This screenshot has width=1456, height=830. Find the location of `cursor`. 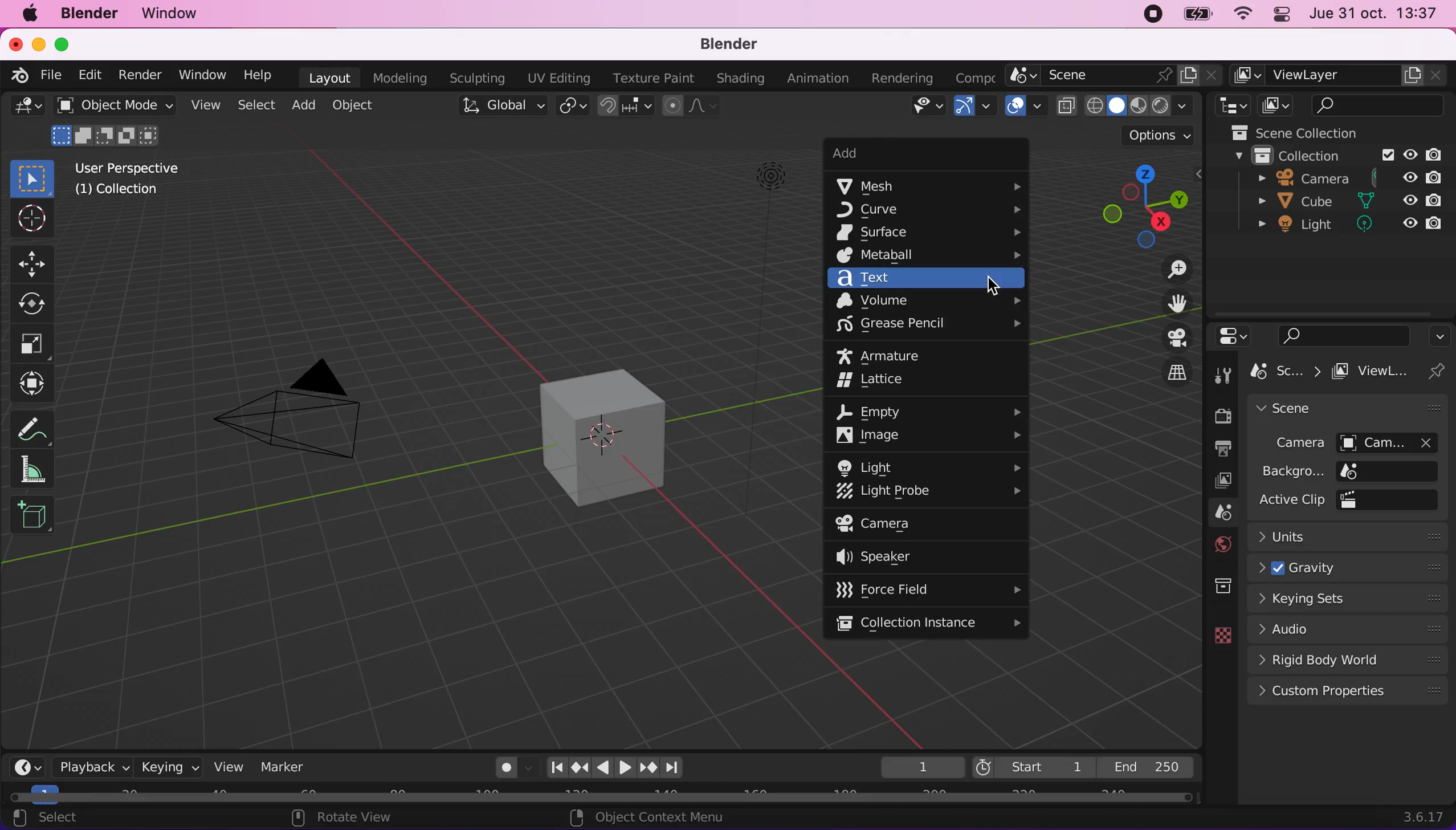

cursor is located at coordinates (991, 285).